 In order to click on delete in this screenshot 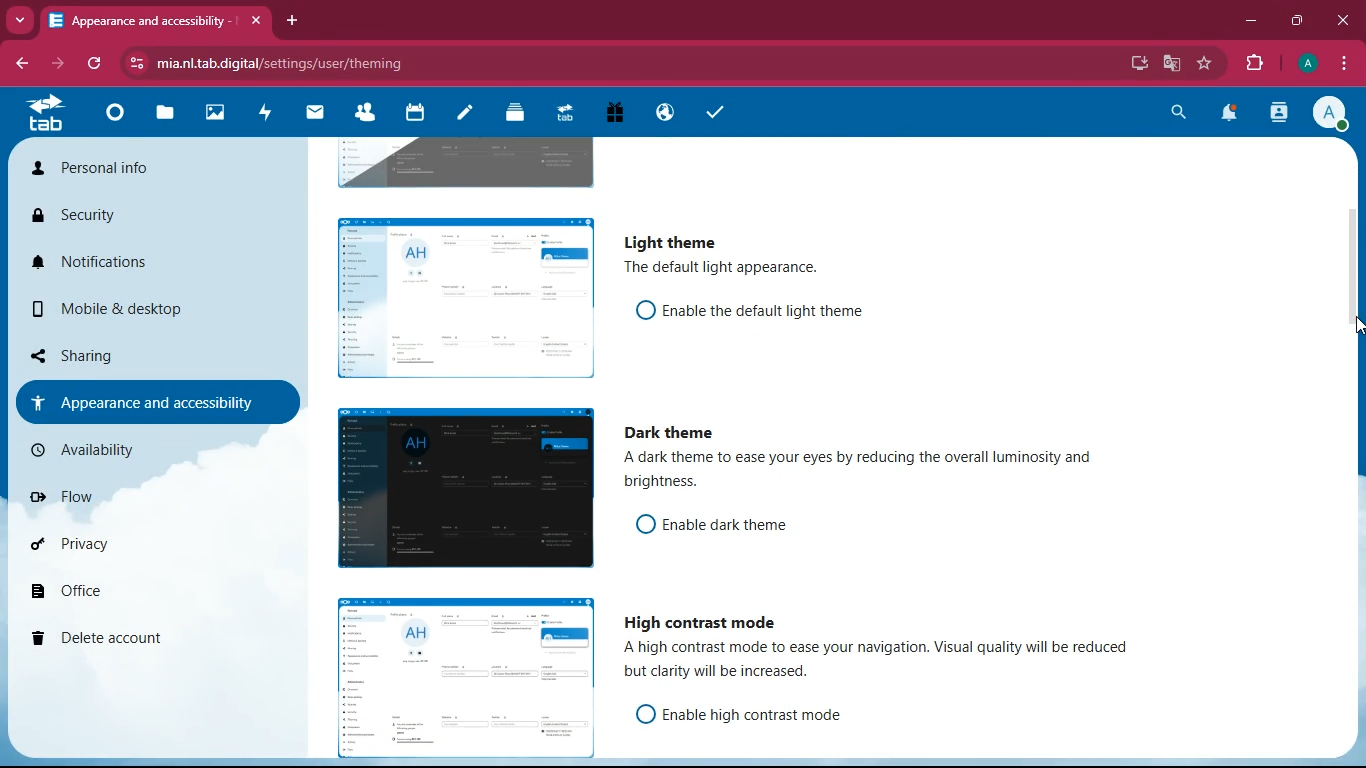, I will do `click(123, 639)`.